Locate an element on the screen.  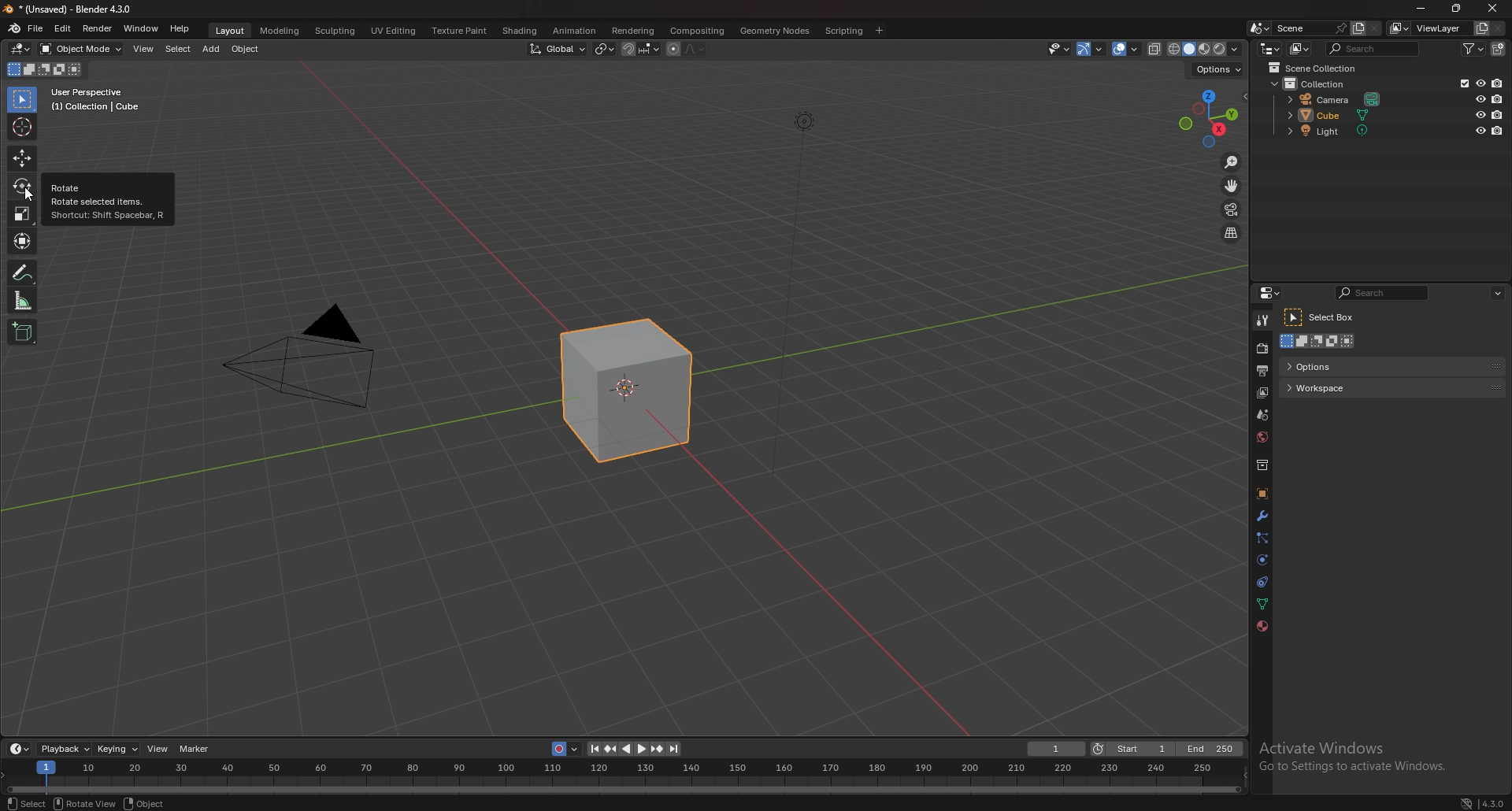
proportional editing falloff is located at coordinates (694, 49).